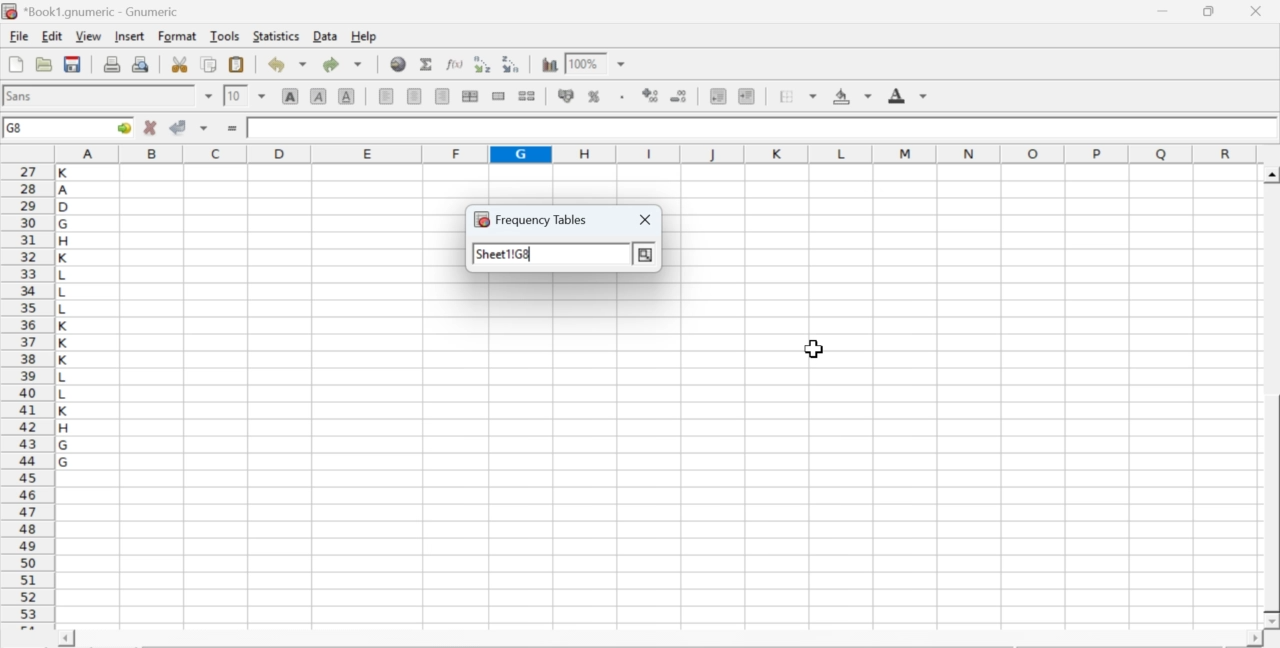 The image size is (1280, 648). What do you see at coordinates (526, 95) in the screenshot?
I see `split merged ranges of cells` at bounding box center [526, 95].